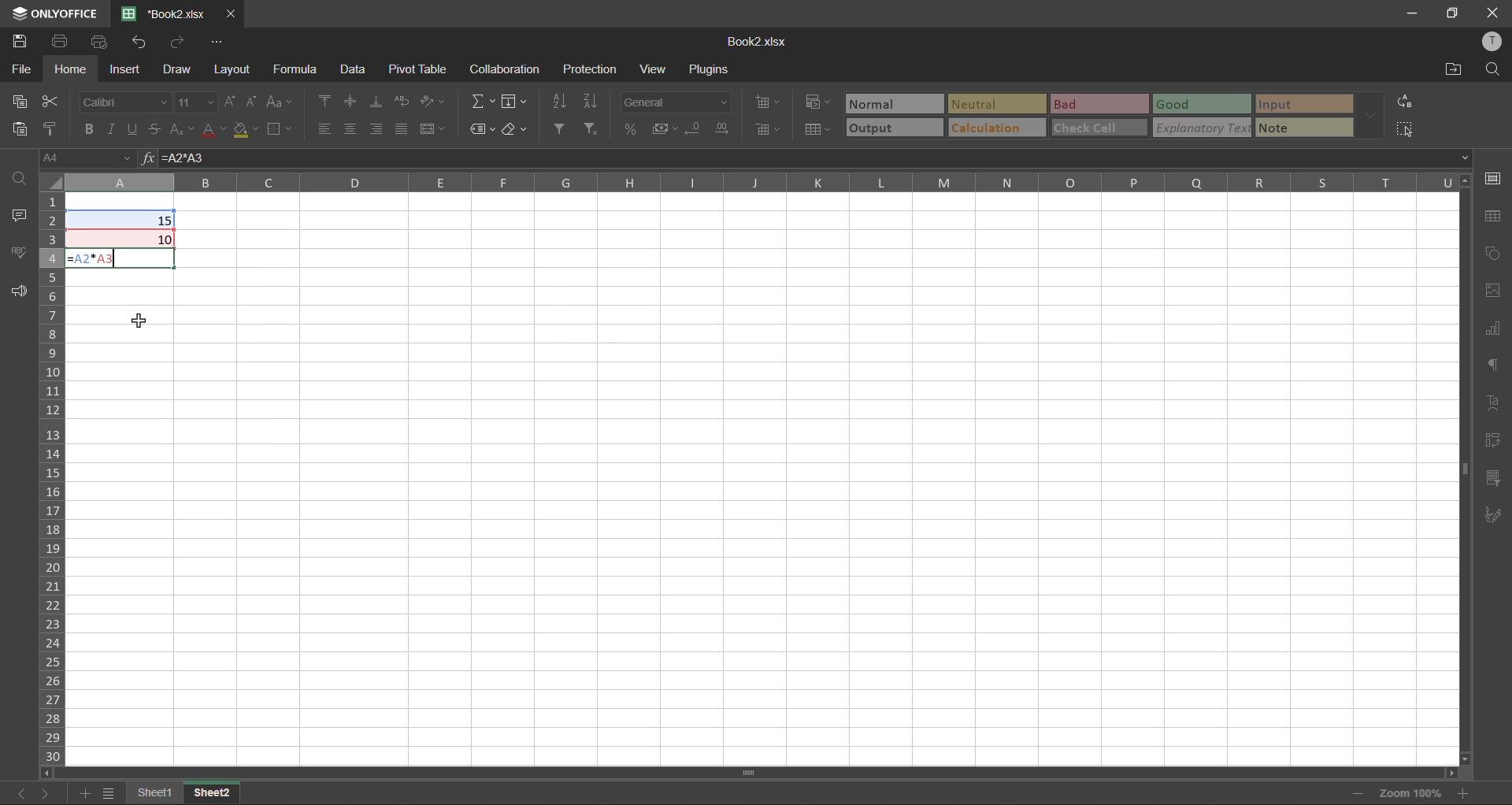 This screenshot has width=1512, height=805. Describe the element at coordinates (438, 131) in the screenshot. I see `merge and center` at that location.